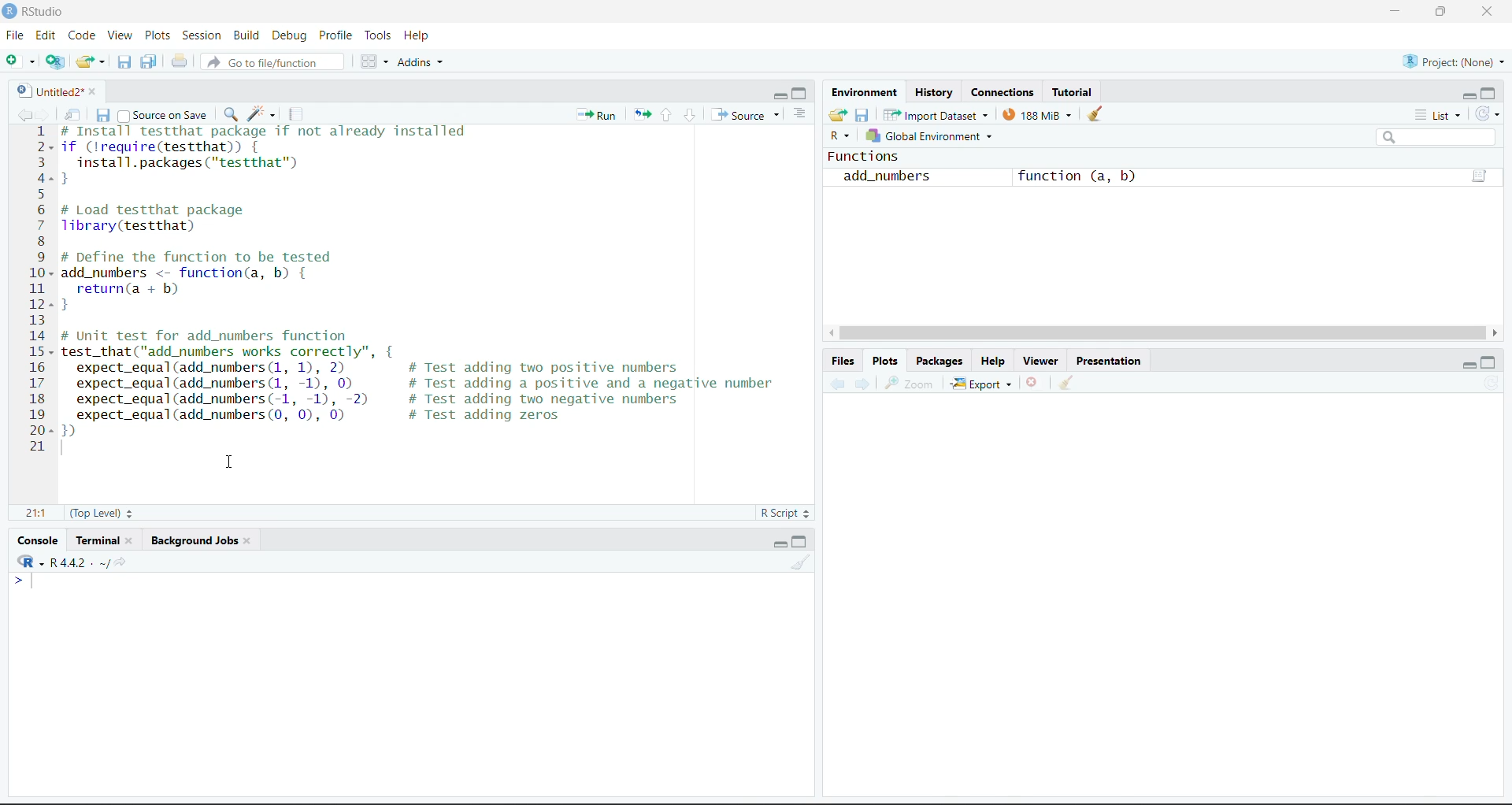 The image size is (1512, 805). What do you see at coordinates (885, 176) in the screenshot?
I see `add_numbers` at bounding box center [885, 176].